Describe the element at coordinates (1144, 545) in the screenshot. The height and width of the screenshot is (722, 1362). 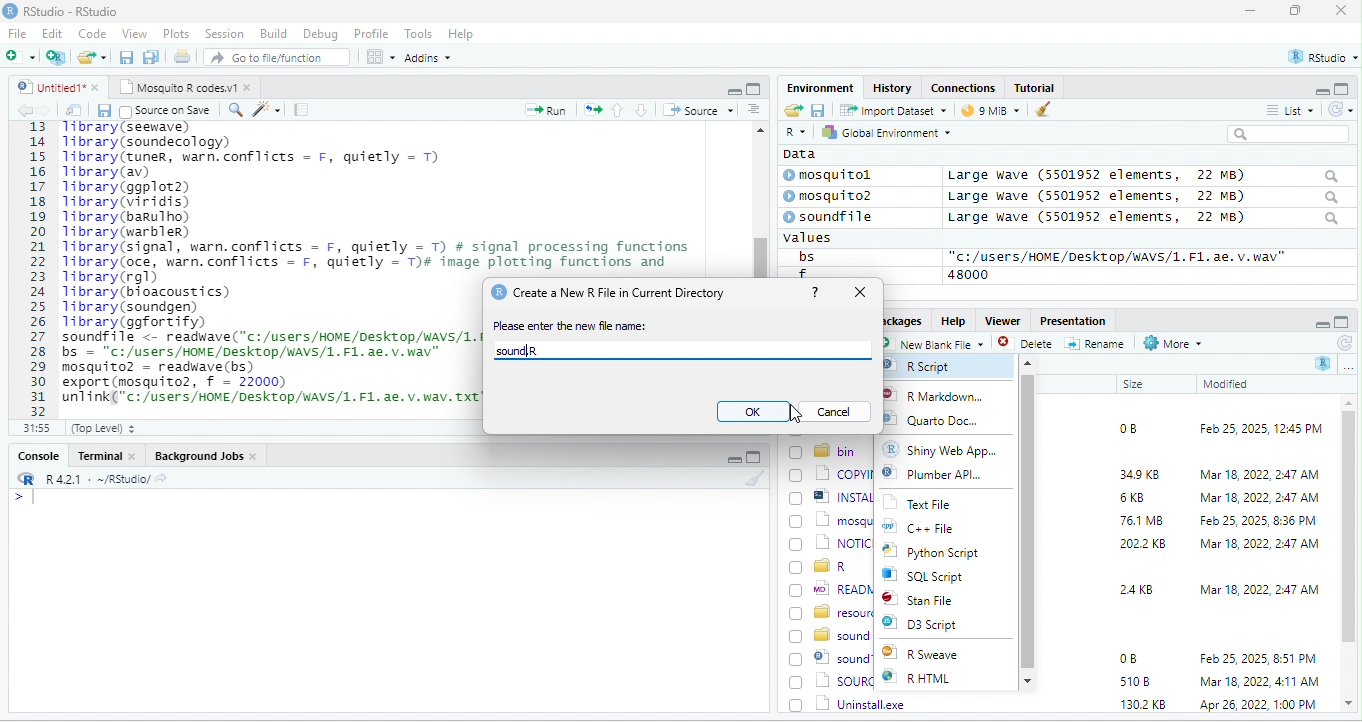
I see `2022 KB` at that location.